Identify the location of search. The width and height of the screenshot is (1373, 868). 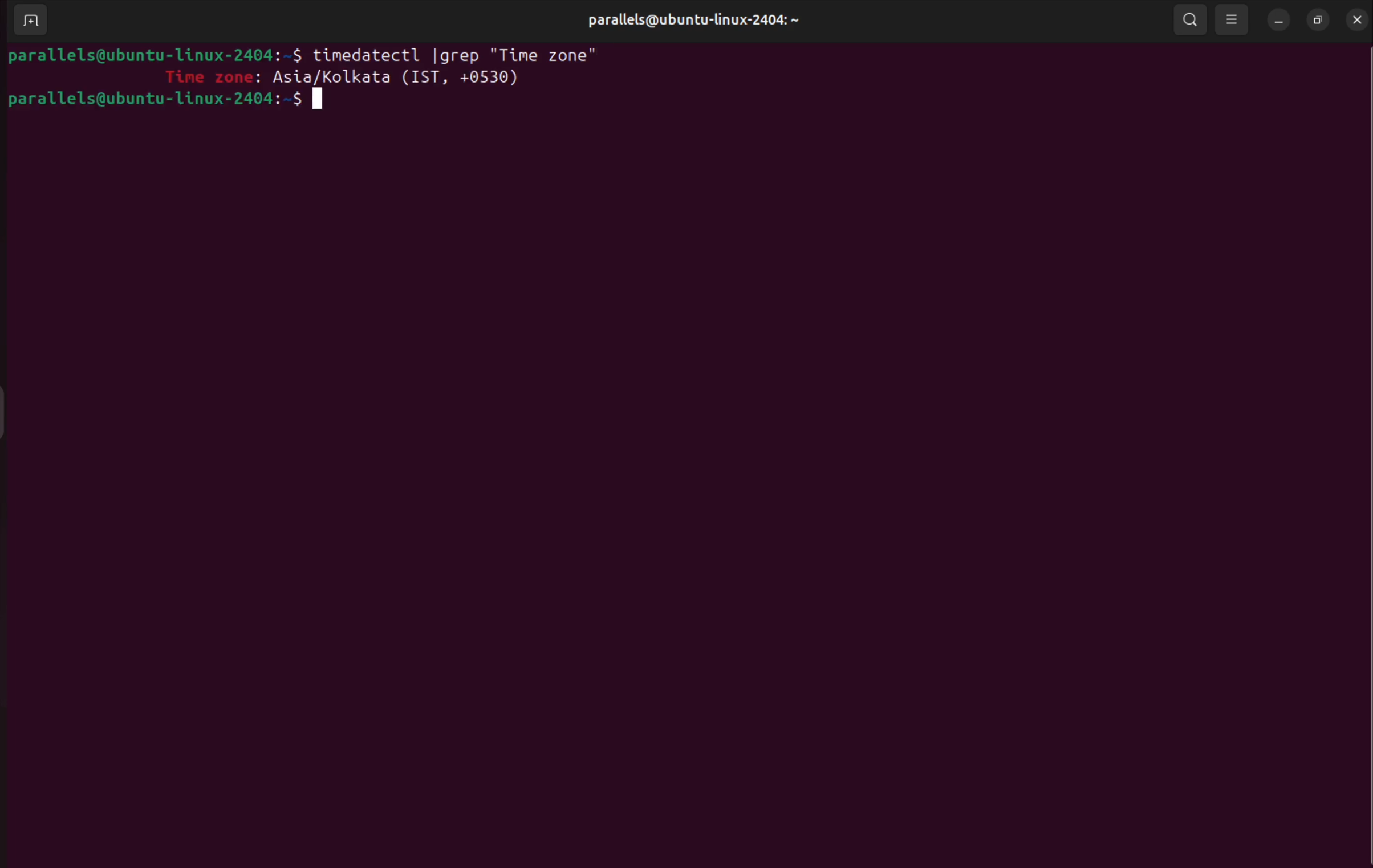
(1191, 19).